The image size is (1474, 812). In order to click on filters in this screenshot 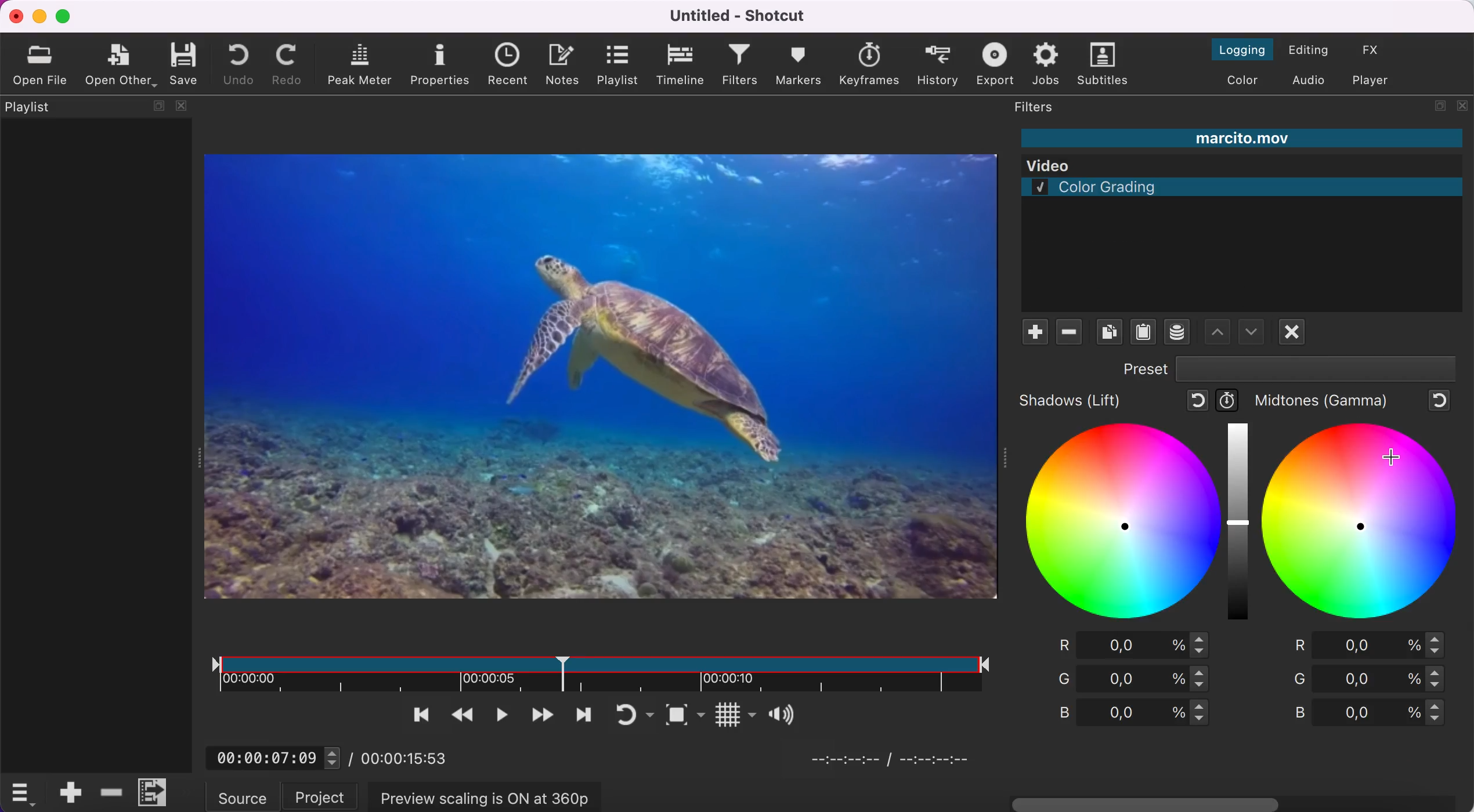, I will do `click(737, 66)`.